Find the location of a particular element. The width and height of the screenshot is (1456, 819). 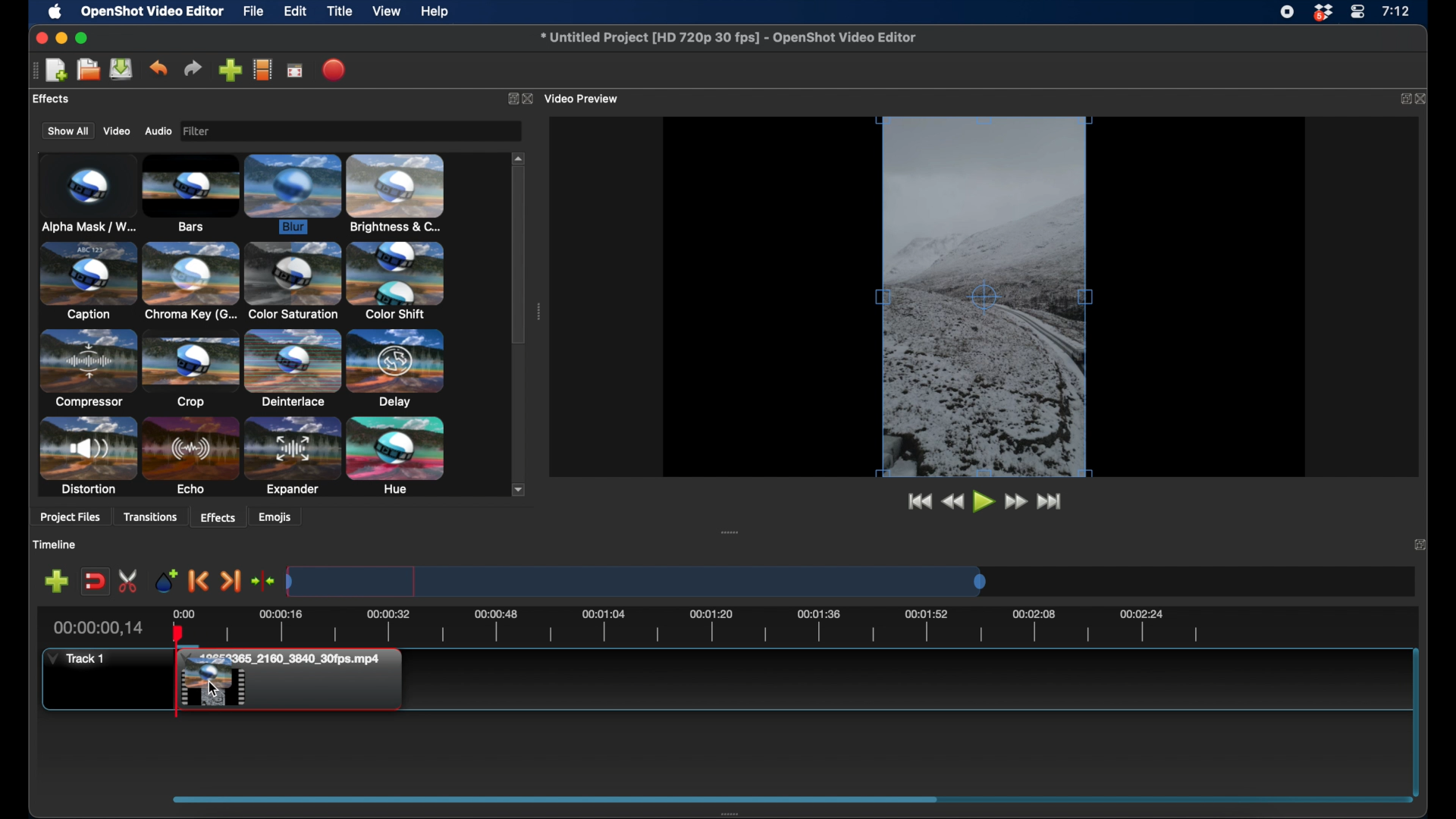

bars is located at coordinates (191, 194).